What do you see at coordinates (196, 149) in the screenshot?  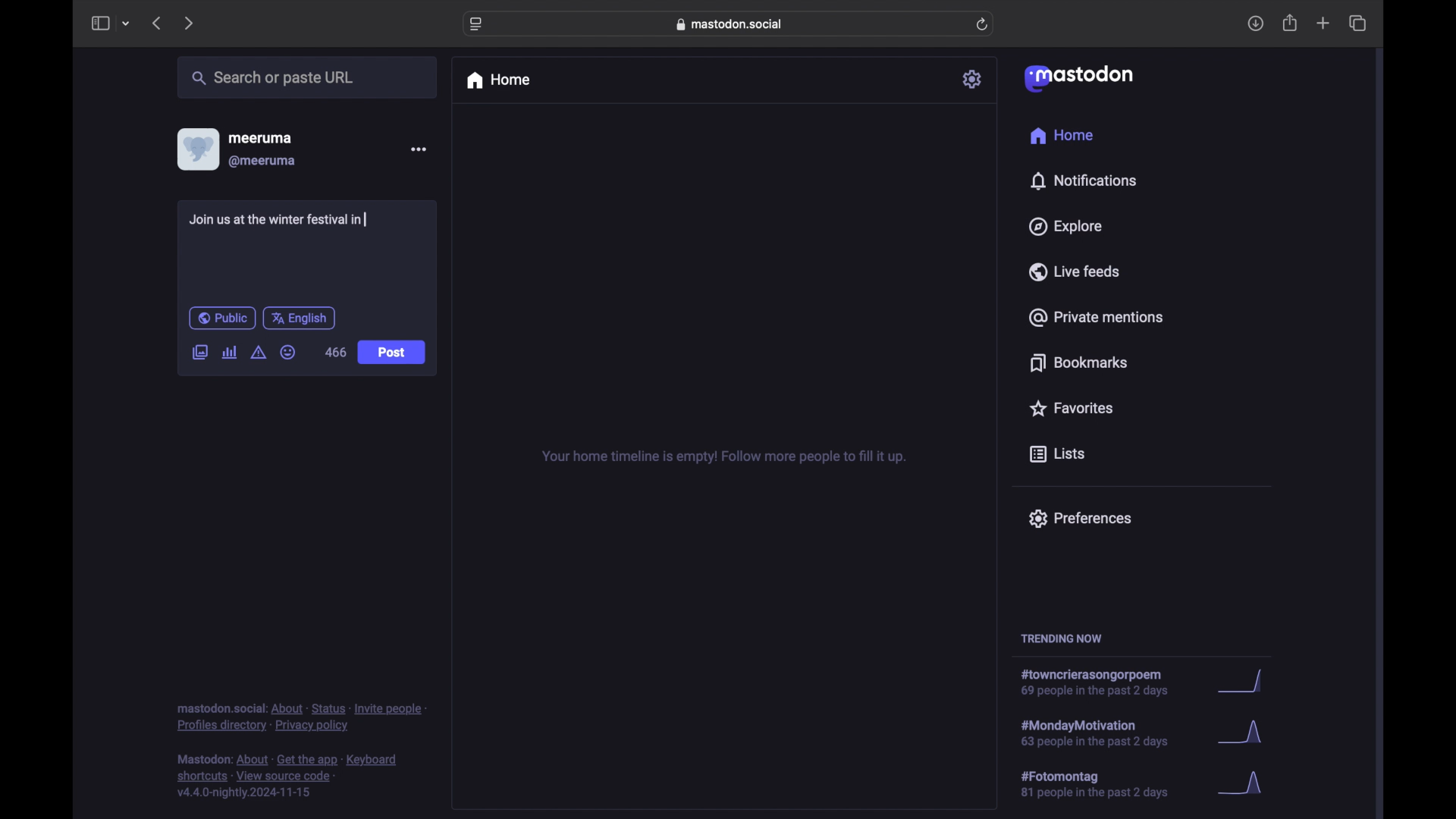 I see `display picture` at bounding box center [196, 149].